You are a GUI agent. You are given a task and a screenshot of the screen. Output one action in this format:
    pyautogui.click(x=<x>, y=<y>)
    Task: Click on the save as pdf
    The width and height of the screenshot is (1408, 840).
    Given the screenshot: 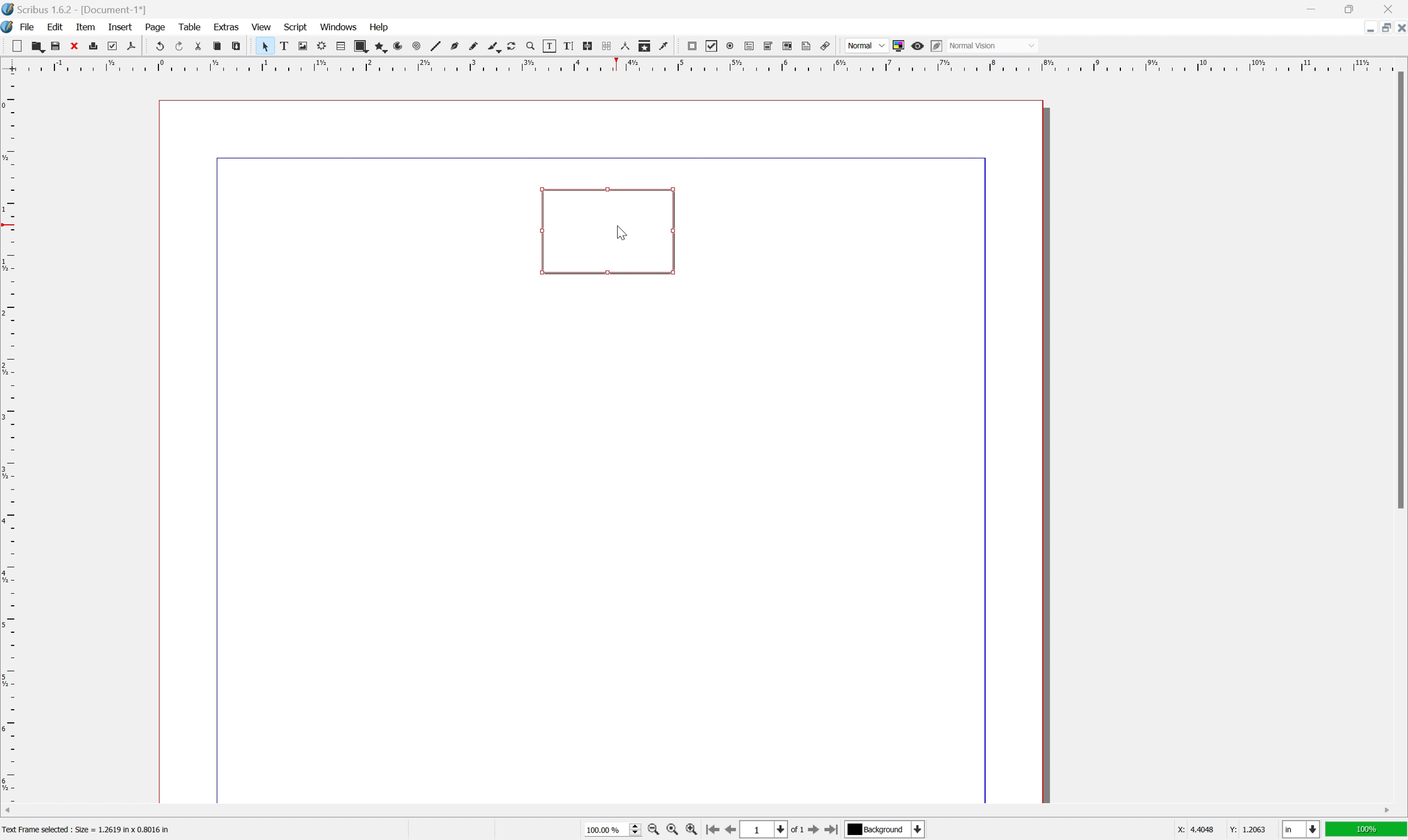 What is the action you would take?
    pyautogui.click(x=132, y=46)
    